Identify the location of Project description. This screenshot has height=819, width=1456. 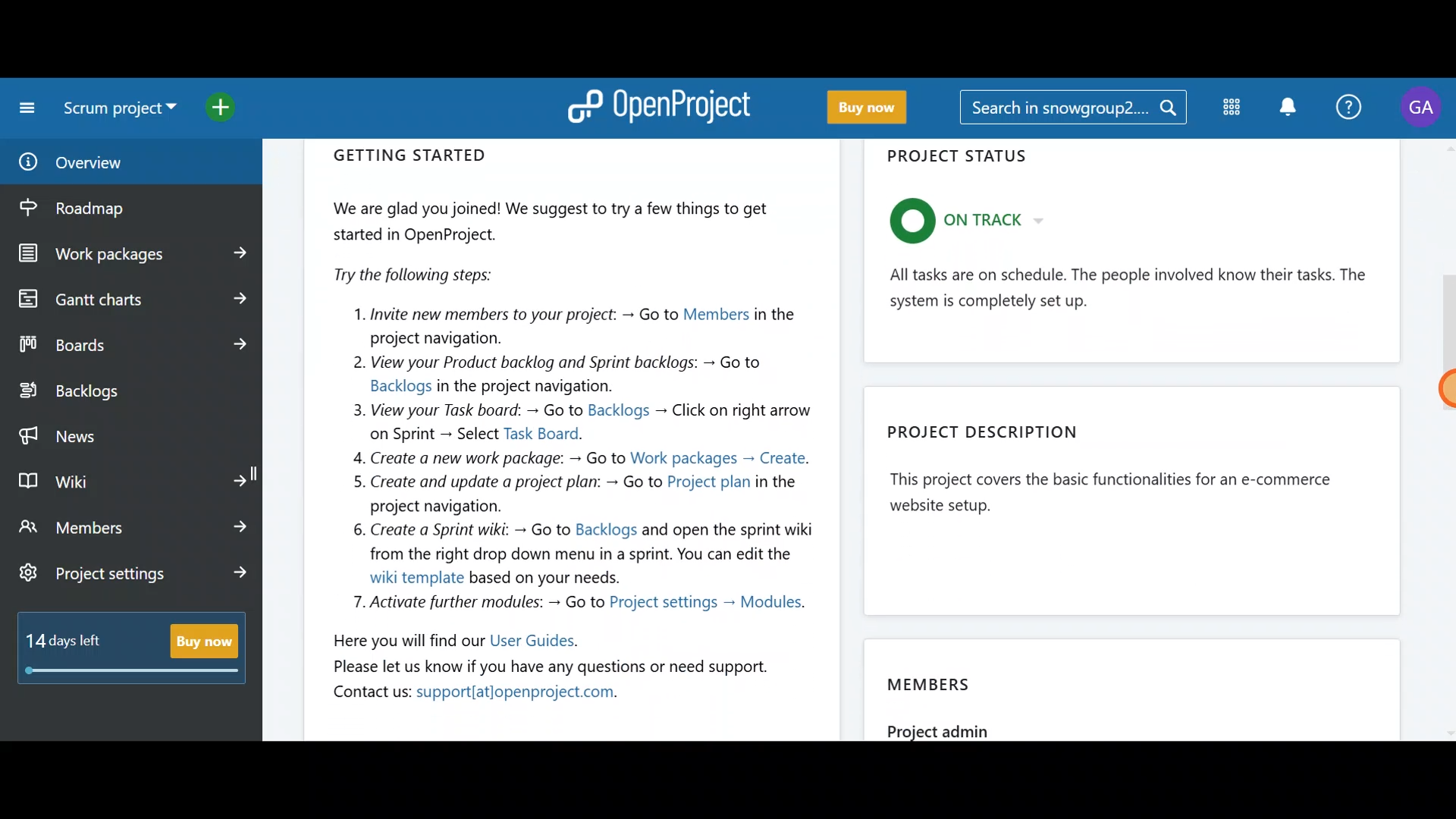
(1138, 496).